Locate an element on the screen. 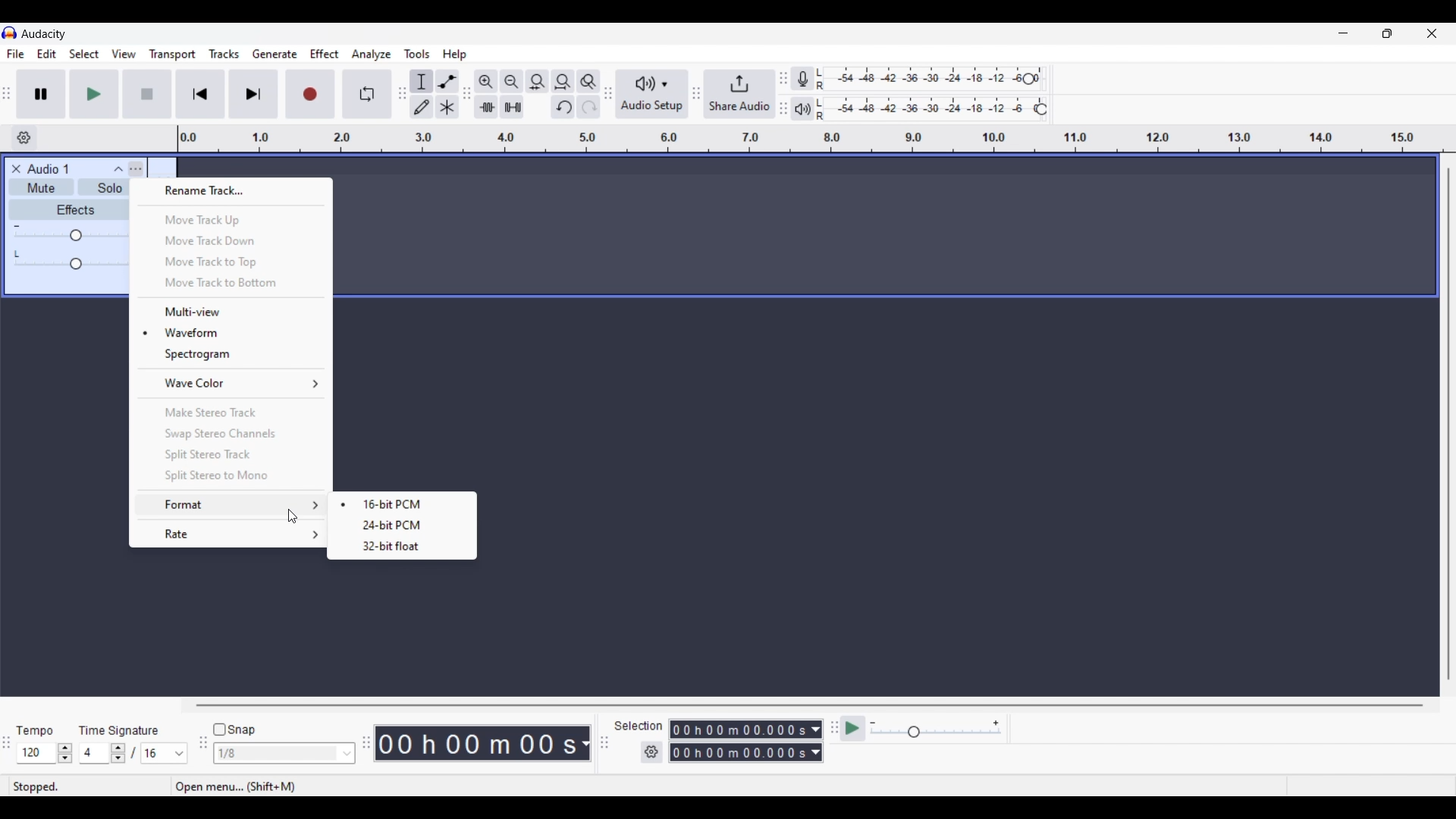  Slider to change playback speed is located at coordinates (936, 733).